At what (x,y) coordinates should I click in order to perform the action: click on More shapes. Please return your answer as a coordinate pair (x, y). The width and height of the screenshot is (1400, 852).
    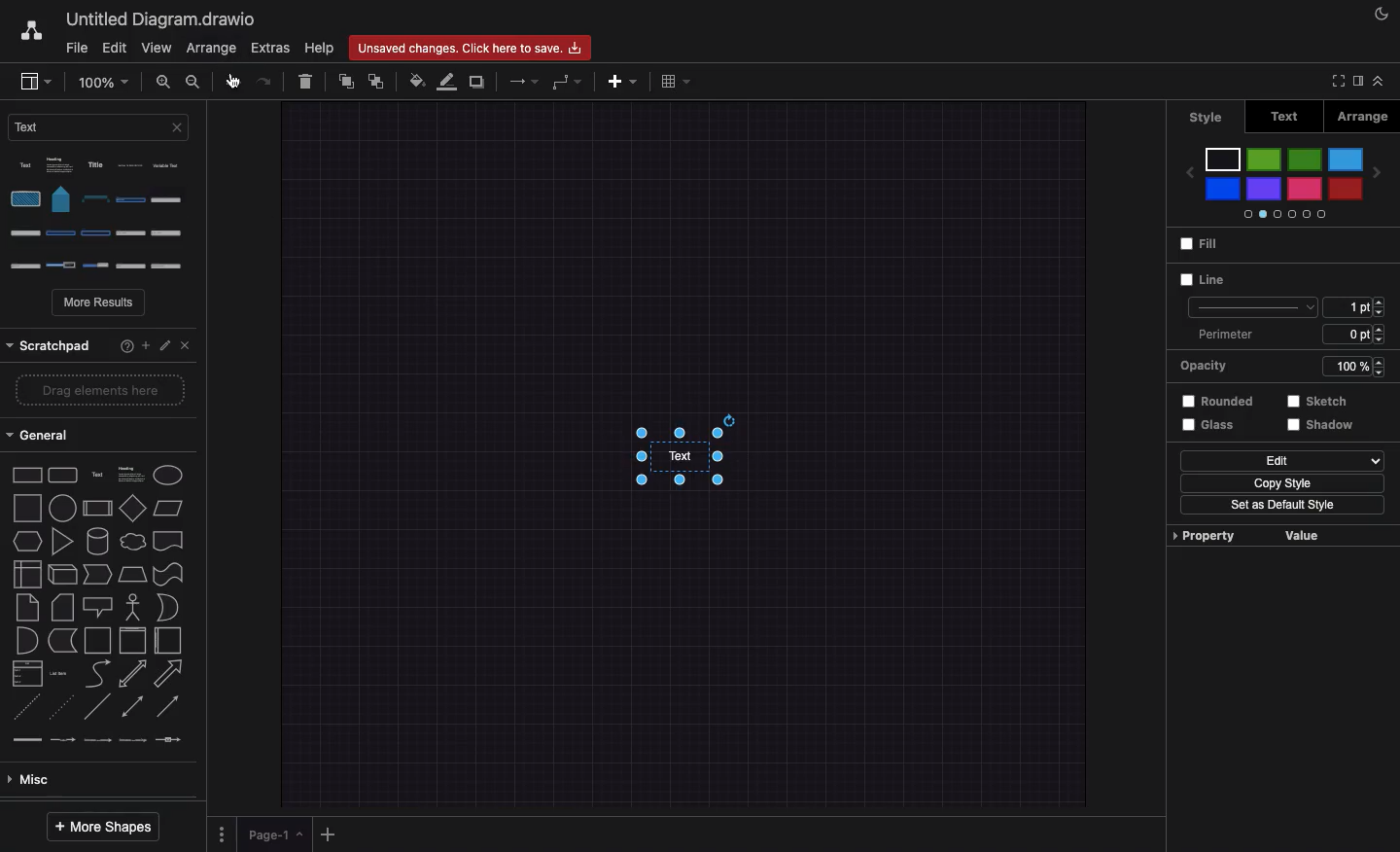
    Looking at the image, I should click on (101, 827).